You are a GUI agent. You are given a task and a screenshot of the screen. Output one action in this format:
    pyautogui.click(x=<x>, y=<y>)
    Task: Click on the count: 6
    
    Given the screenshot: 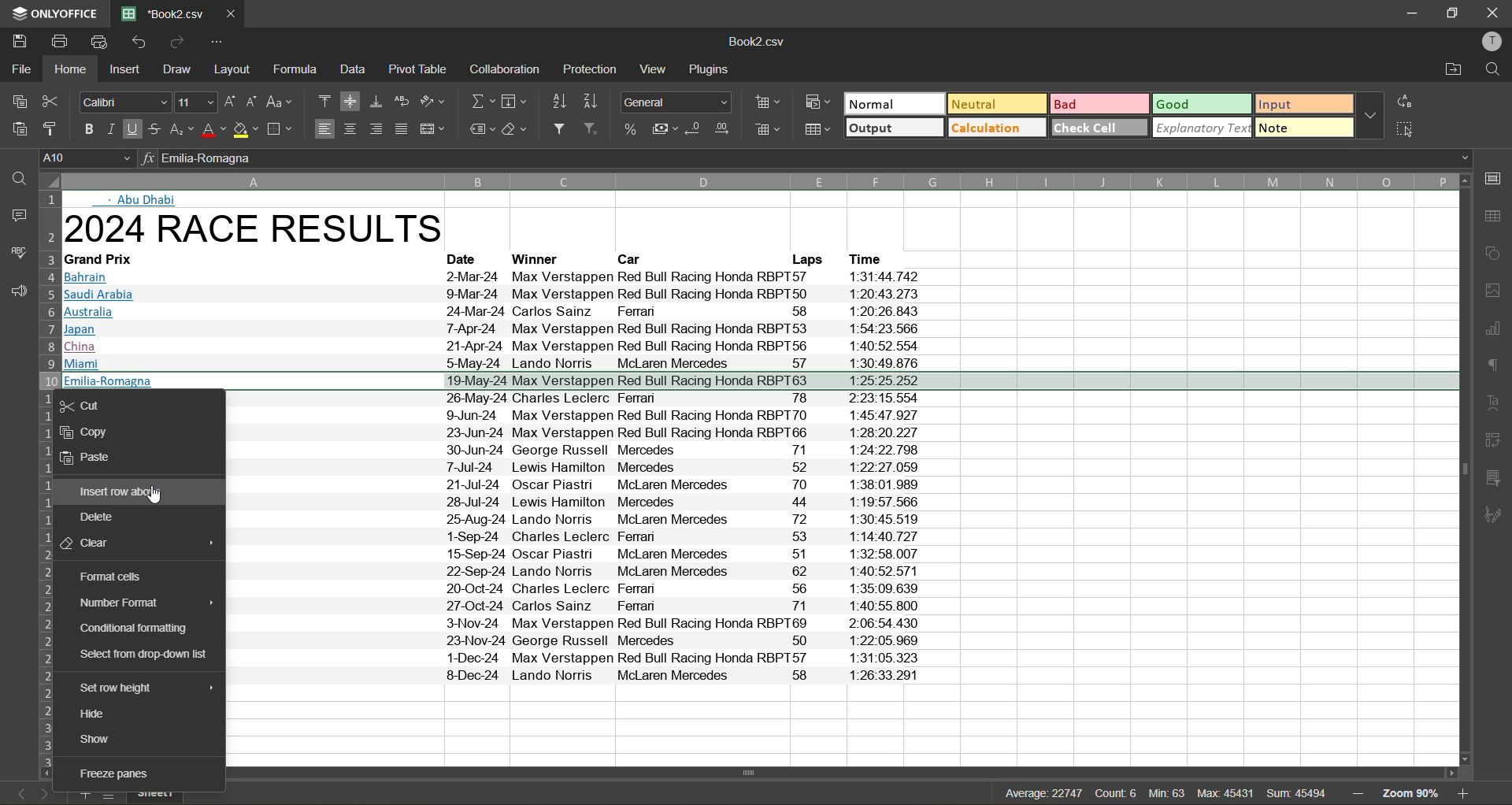 What is the action you would take?
    pyautogui.click(x=1117, y=793)
    